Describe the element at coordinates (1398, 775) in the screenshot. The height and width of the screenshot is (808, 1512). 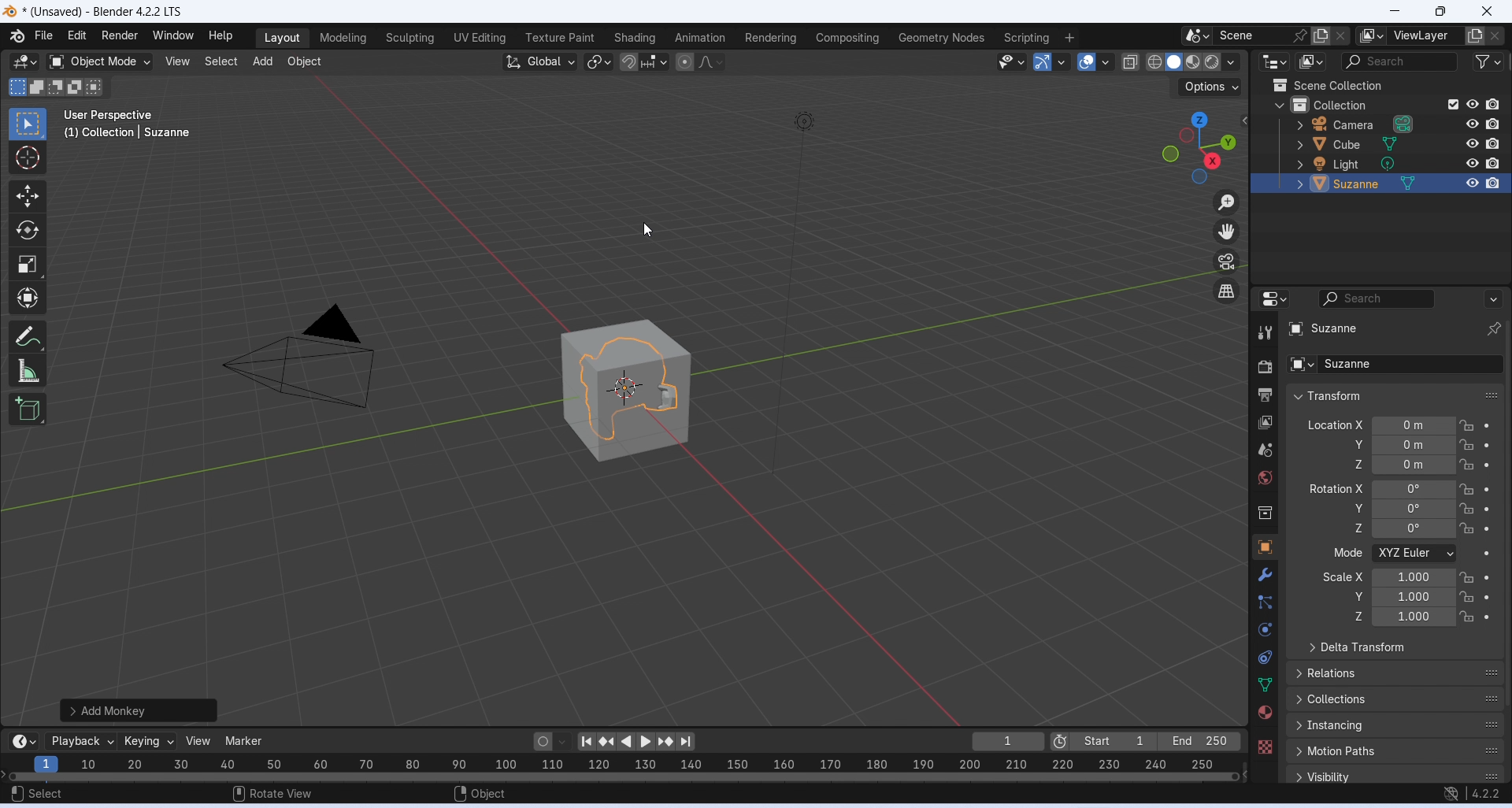
I see `visibility` at that location.